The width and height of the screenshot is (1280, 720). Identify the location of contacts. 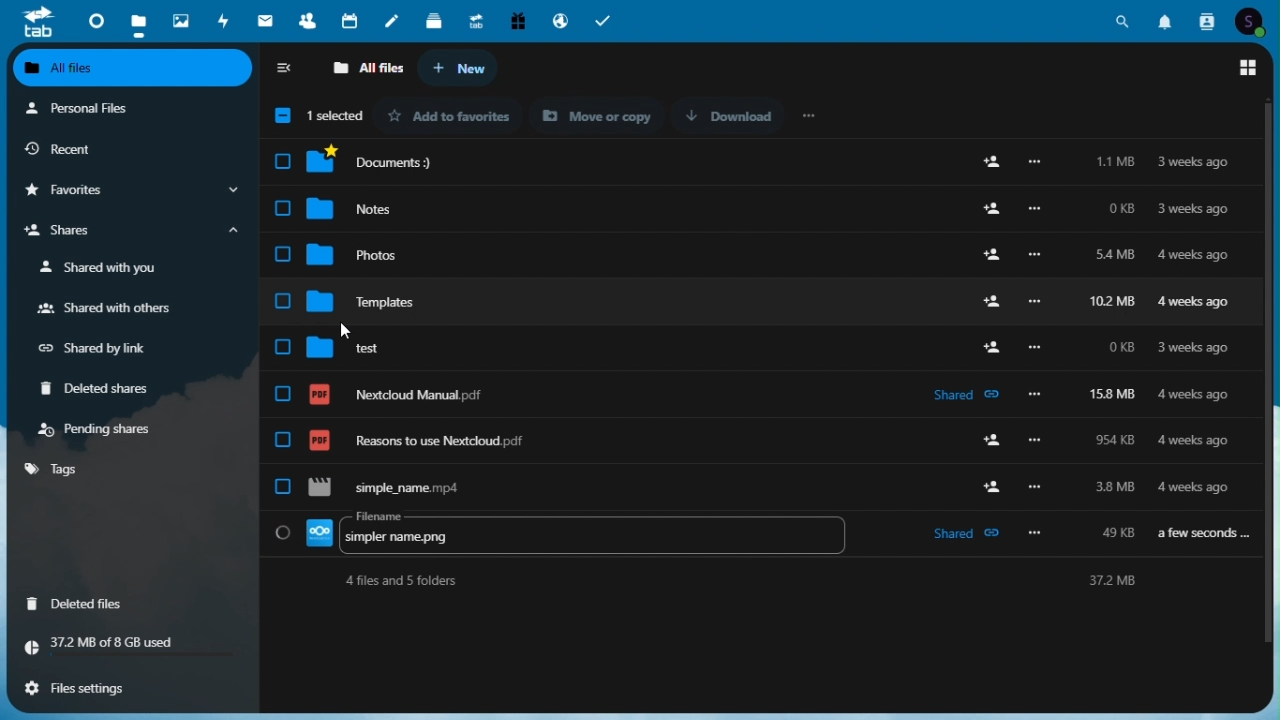
(307, 20).